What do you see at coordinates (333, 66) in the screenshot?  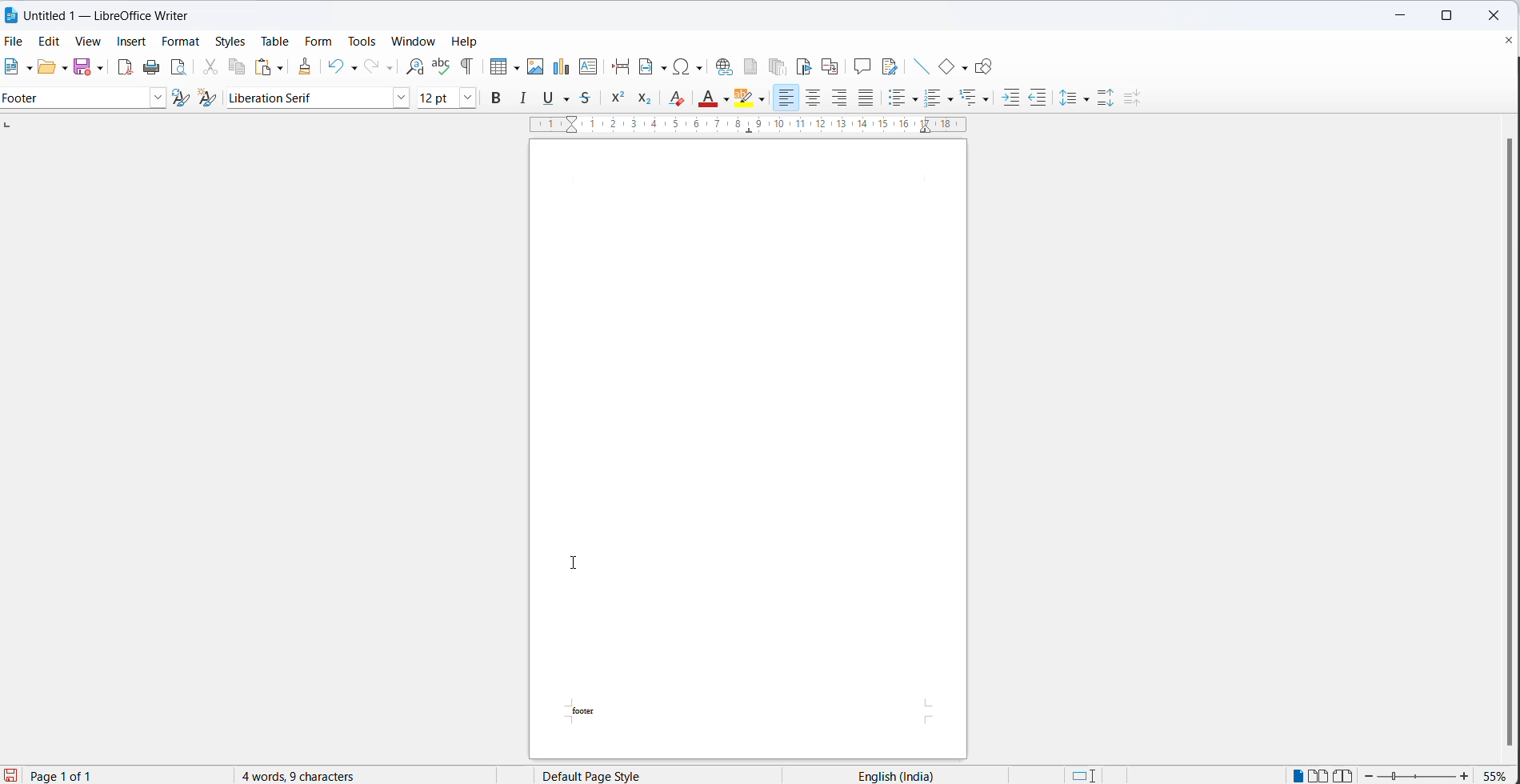 I see `undo` at bounding box center [333, 66].